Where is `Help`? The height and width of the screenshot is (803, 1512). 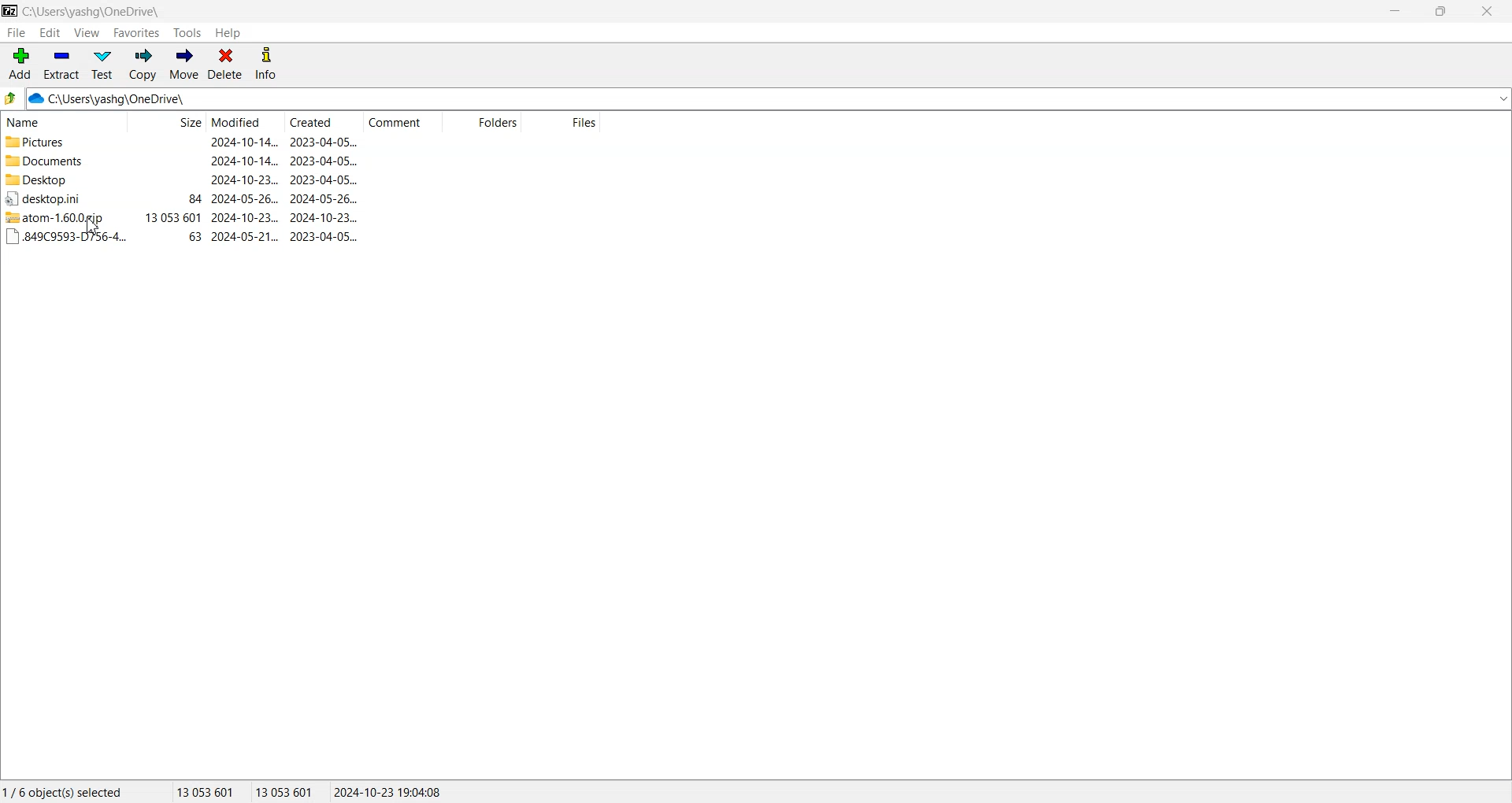 Help is located at coordinates (228, 33).